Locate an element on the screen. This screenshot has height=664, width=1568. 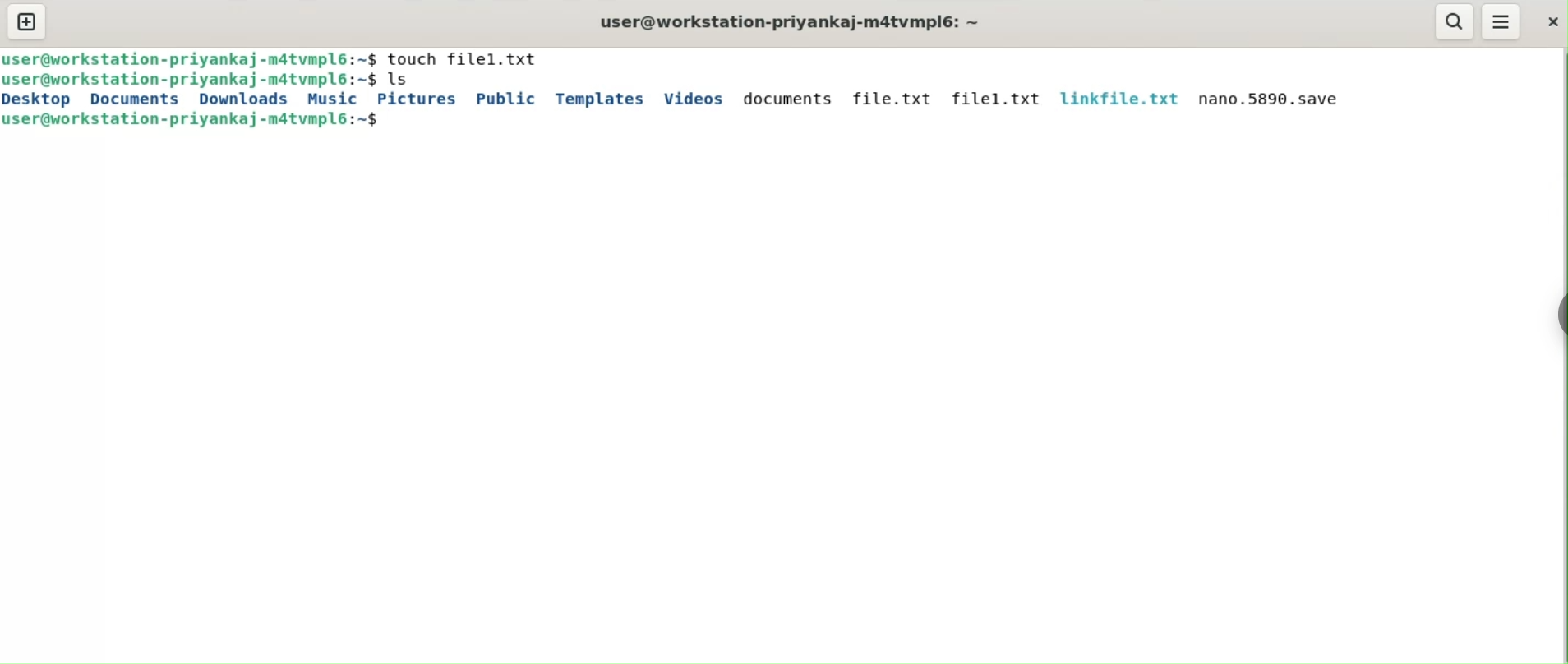
file.txt is located at coordinates (894, 99).